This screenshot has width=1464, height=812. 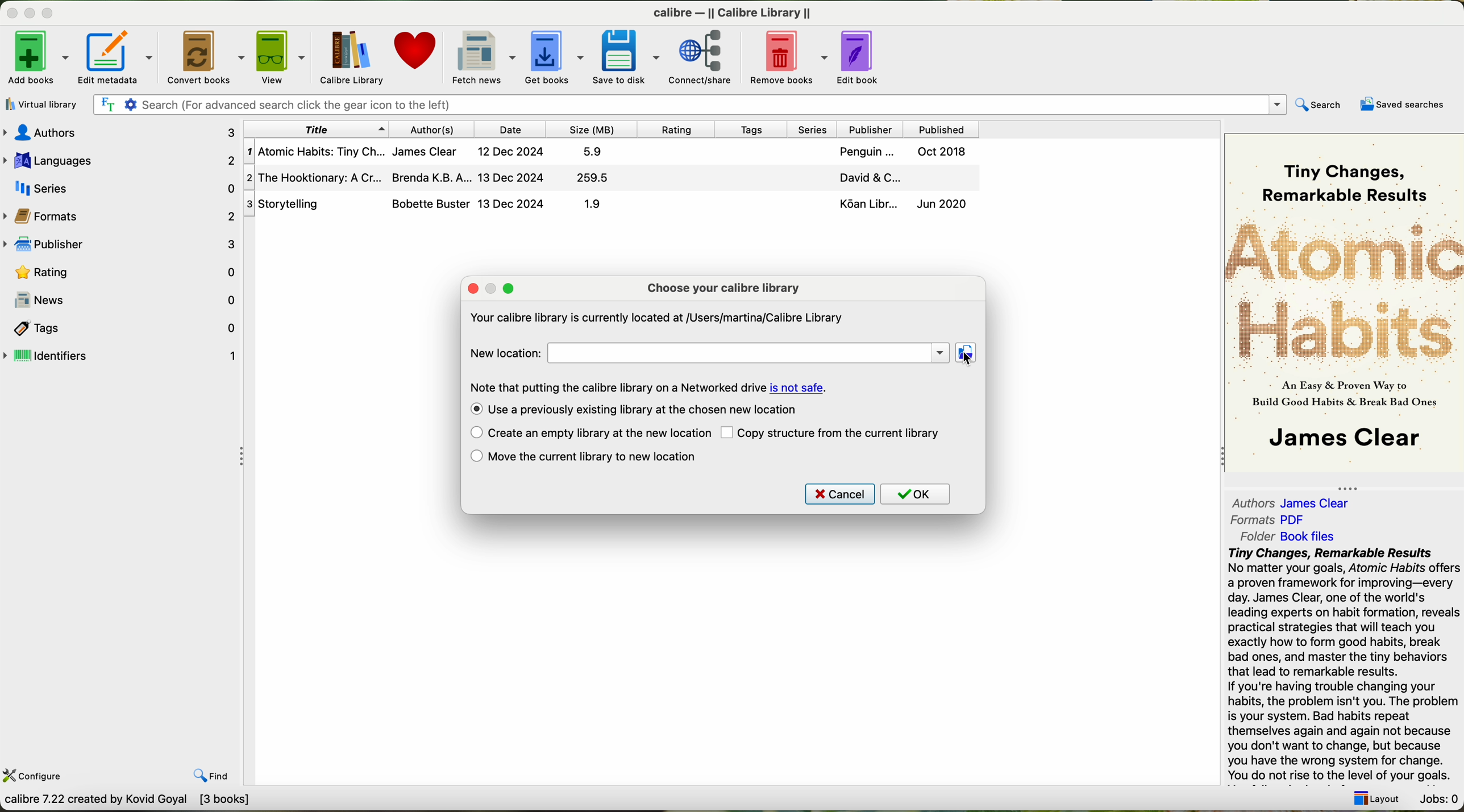 What do you see at coordinates (843, 434) in the screenshot?
I see `copy structure from the current library` at bounding box center [843, 434].